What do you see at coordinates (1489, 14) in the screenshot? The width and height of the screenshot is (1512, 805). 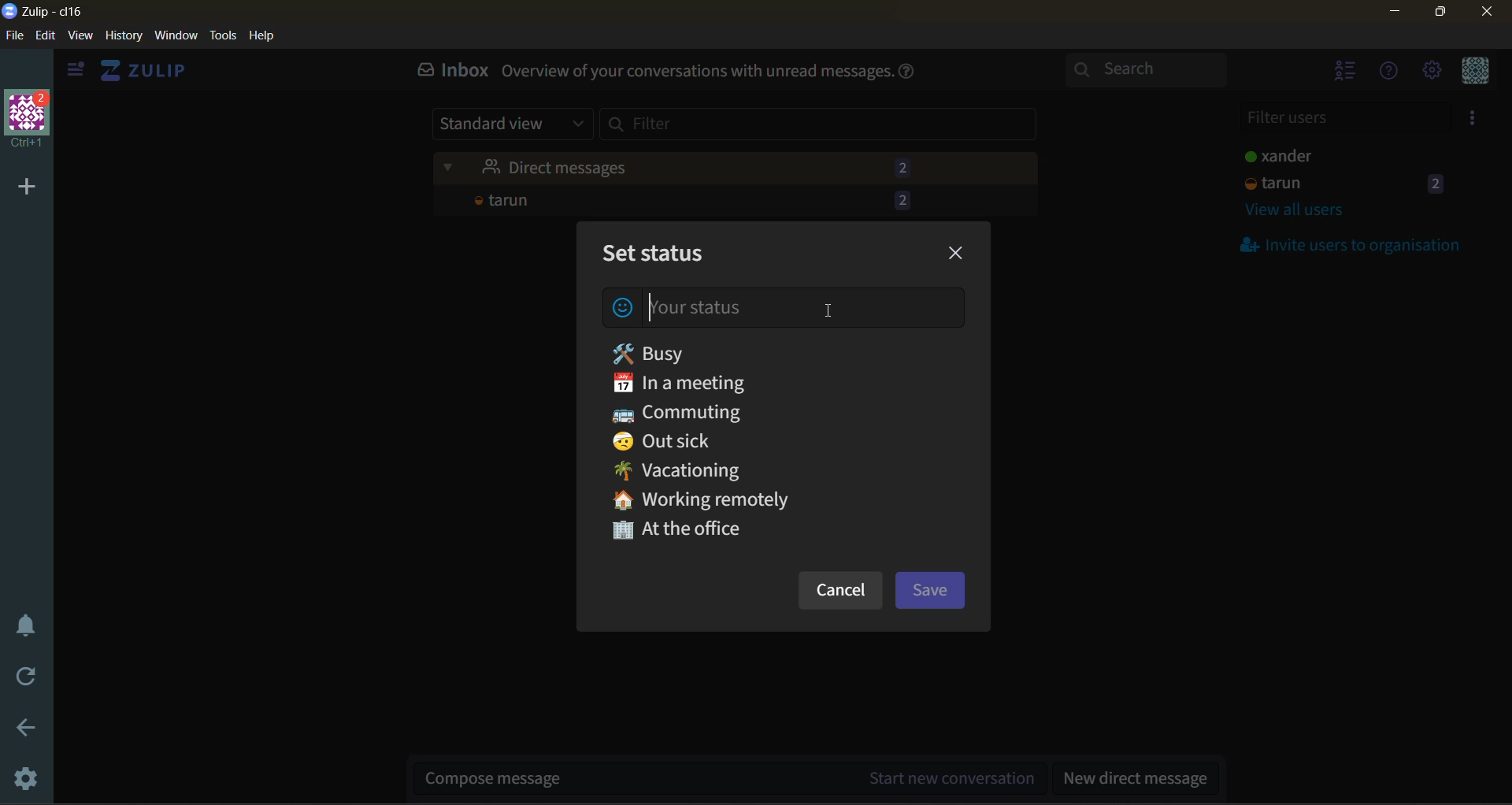 I see `close` at bounding box center [1489, 14].